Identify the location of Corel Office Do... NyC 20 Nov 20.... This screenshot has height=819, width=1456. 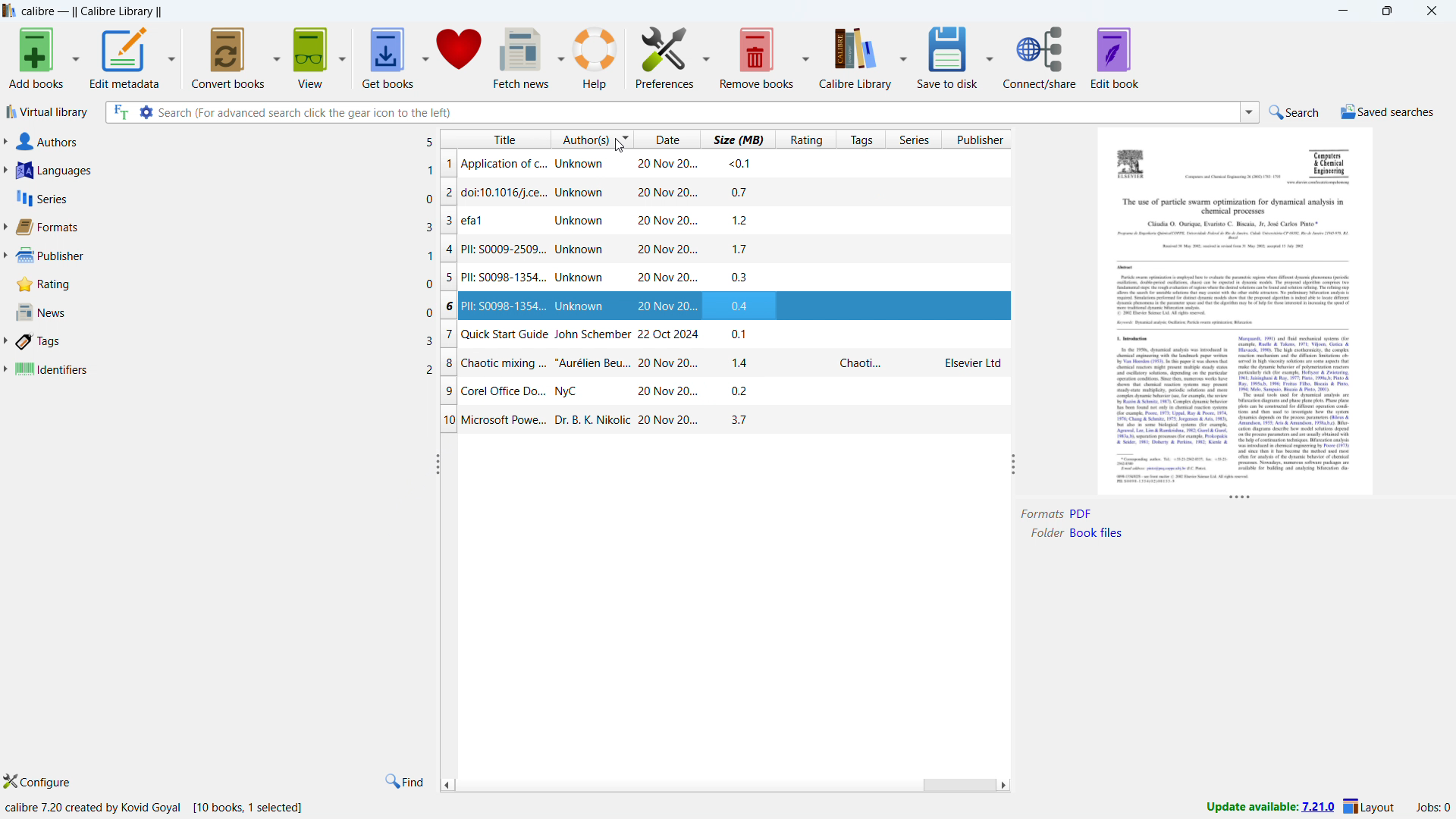
(585, 393).